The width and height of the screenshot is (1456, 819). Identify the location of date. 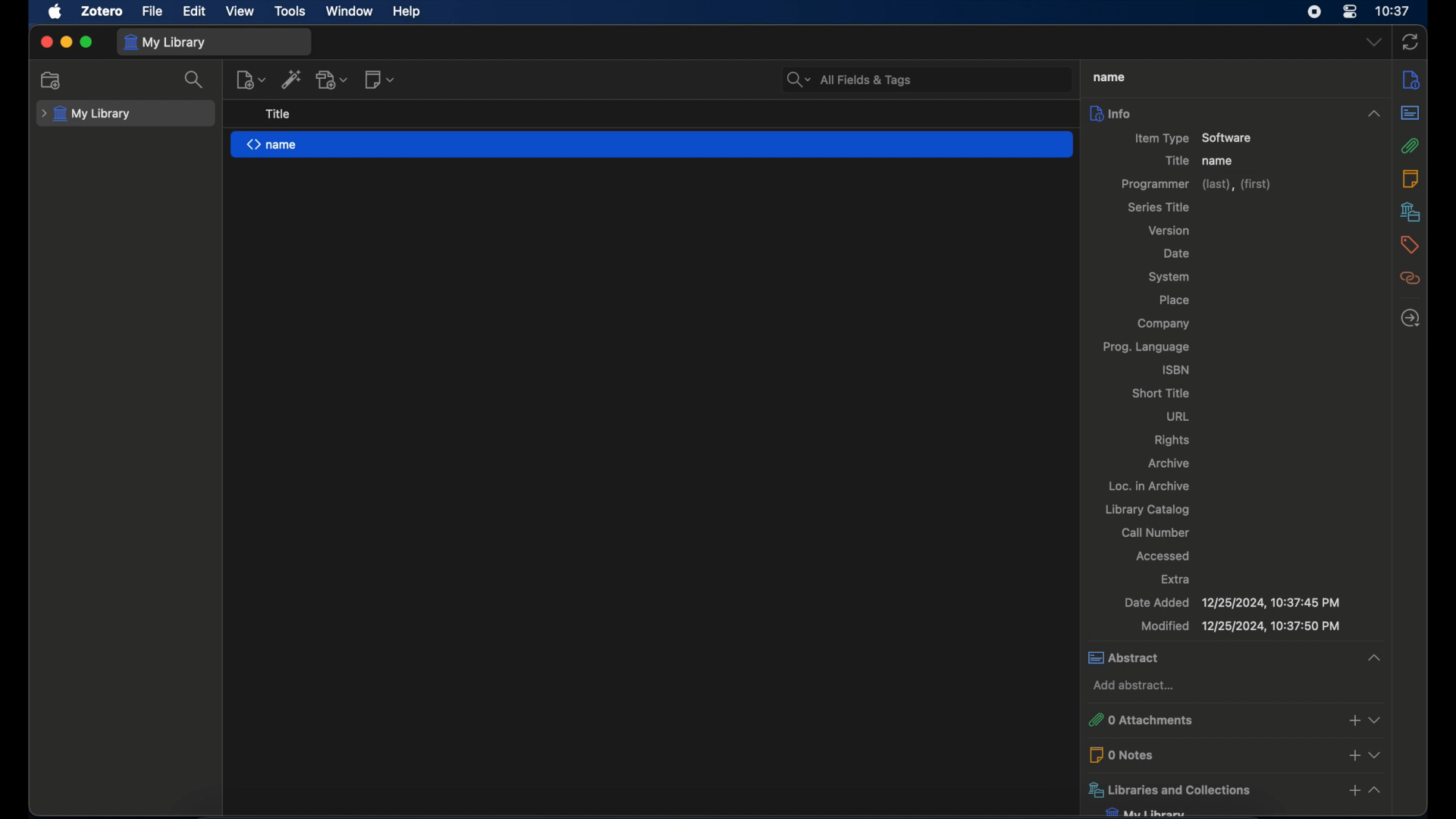
(1177, 253).